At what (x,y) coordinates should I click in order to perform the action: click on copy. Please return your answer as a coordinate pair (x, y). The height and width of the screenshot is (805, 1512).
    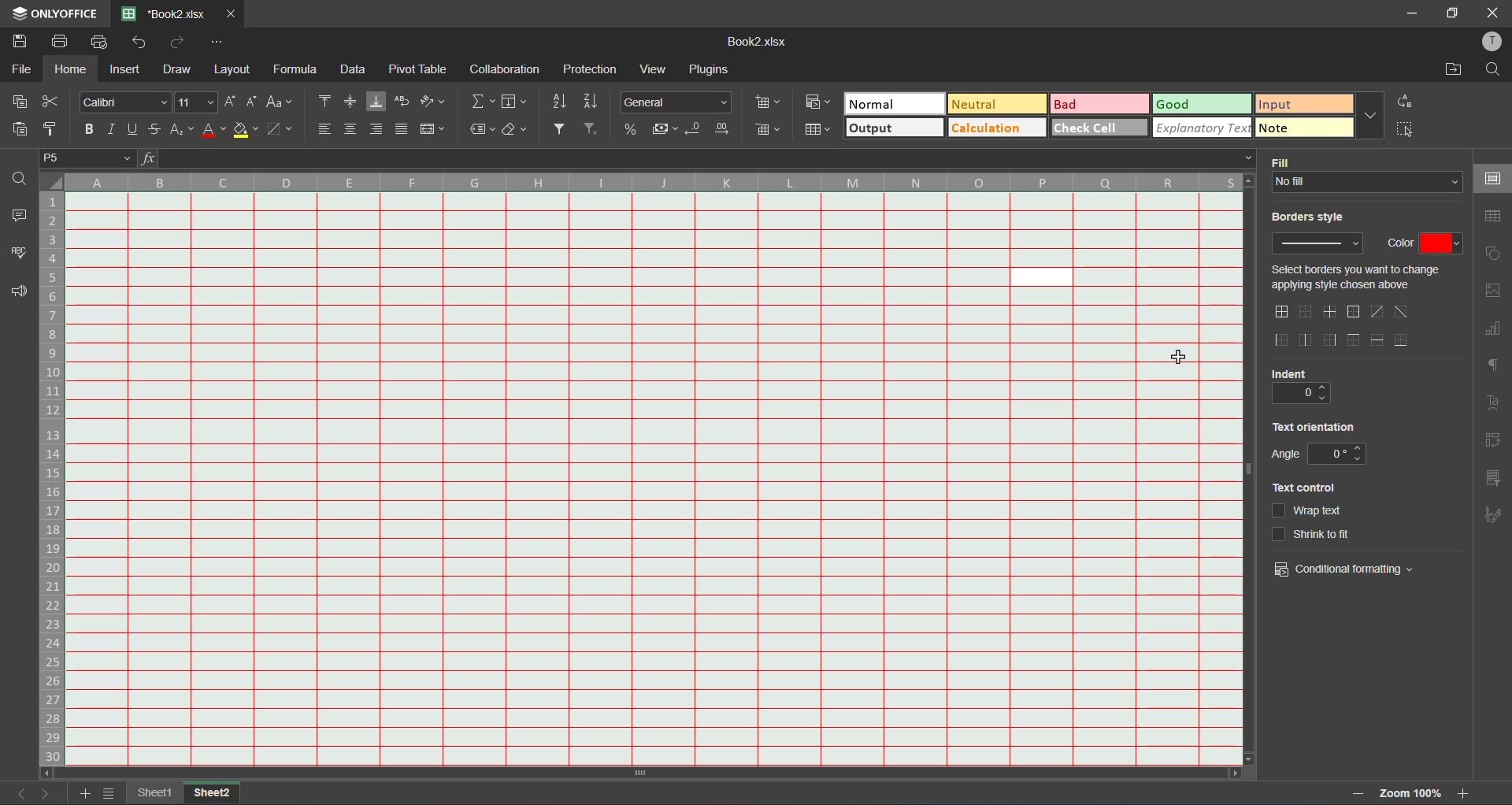
    Looking at the image, I should click on (19, 104).